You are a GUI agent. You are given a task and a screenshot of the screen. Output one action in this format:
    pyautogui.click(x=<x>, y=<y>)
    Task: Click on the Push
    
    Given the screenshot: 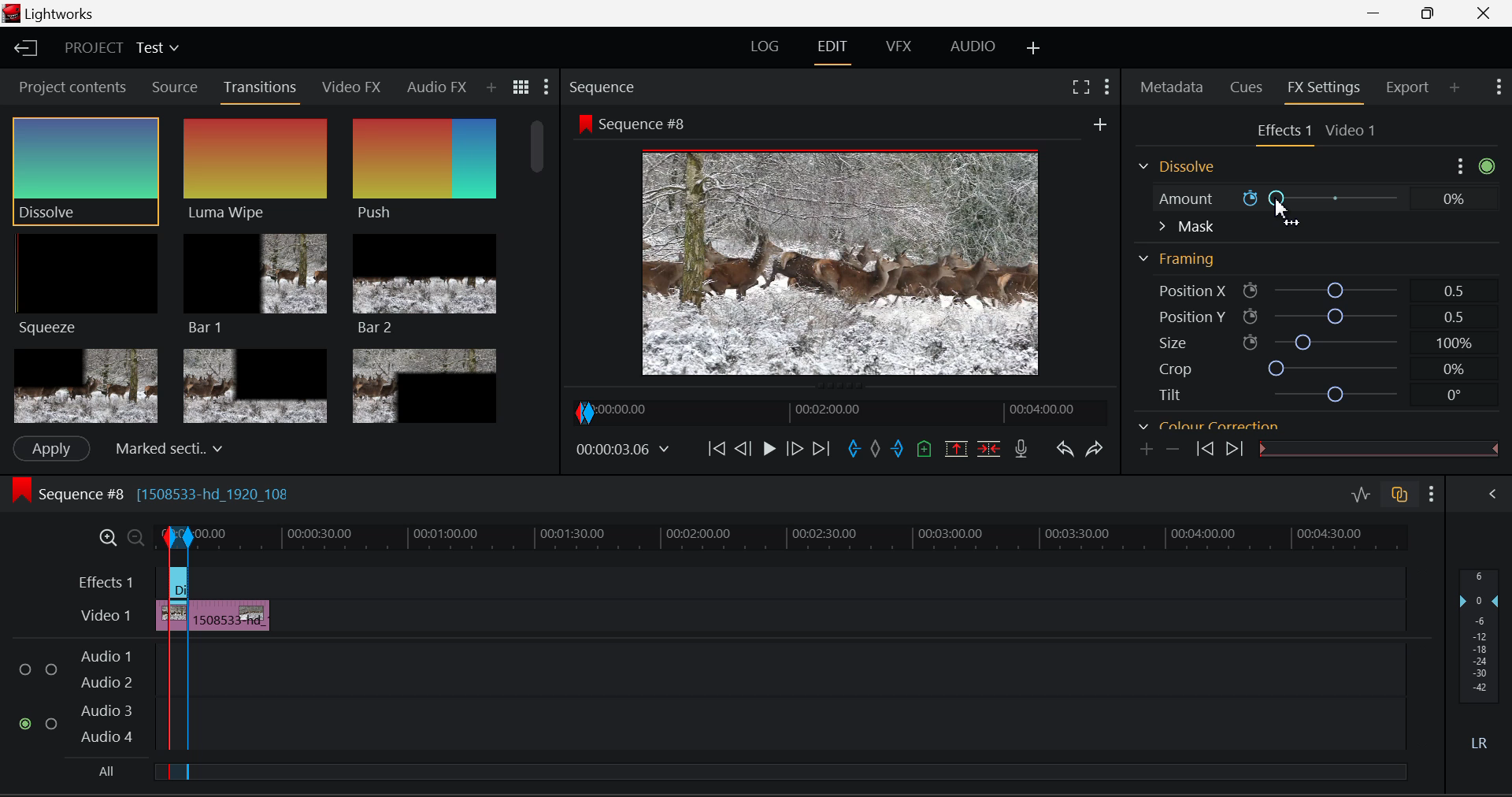 What is the action you would take?
    pyautogui.click(x=424, y=172)
    